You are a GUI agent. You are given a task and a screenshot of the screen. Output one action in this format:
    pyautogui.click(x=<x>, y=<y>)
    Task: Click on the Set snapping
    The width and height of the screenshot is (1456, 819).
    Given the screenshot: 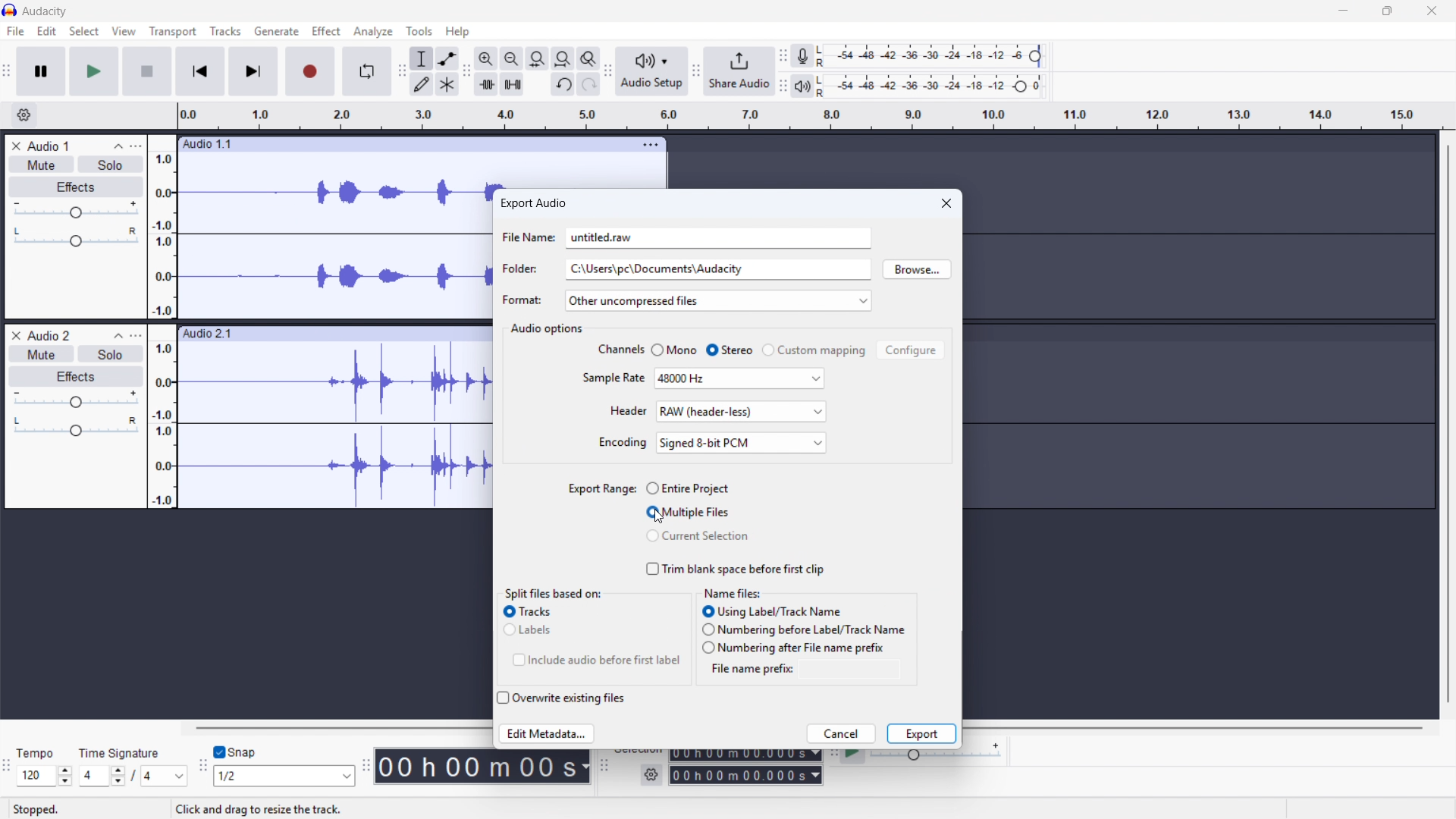 What is the action you would take?
    pyautogui.click(x=285, y=776)
    